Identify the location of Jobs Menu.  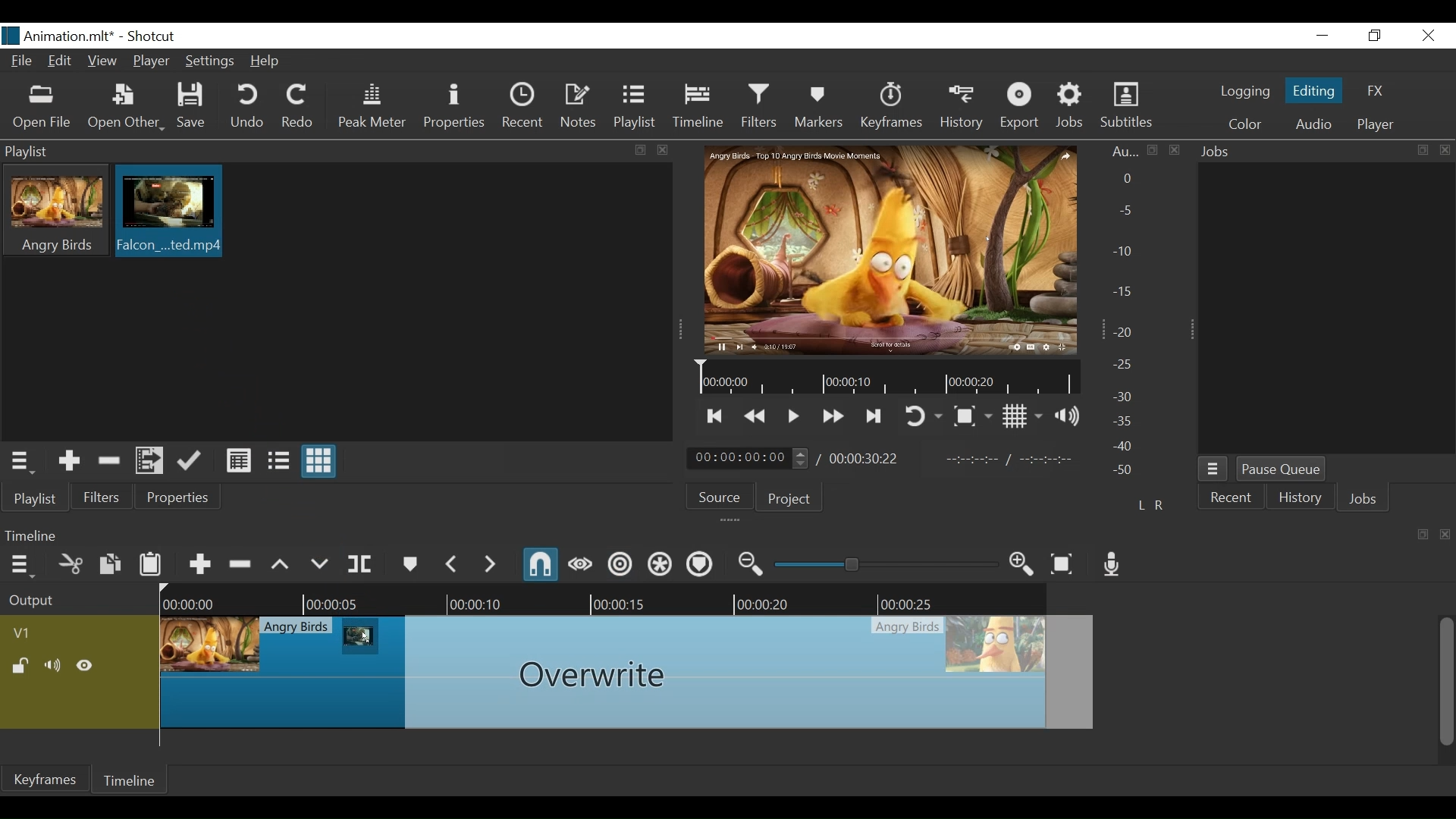
(1214, 470).